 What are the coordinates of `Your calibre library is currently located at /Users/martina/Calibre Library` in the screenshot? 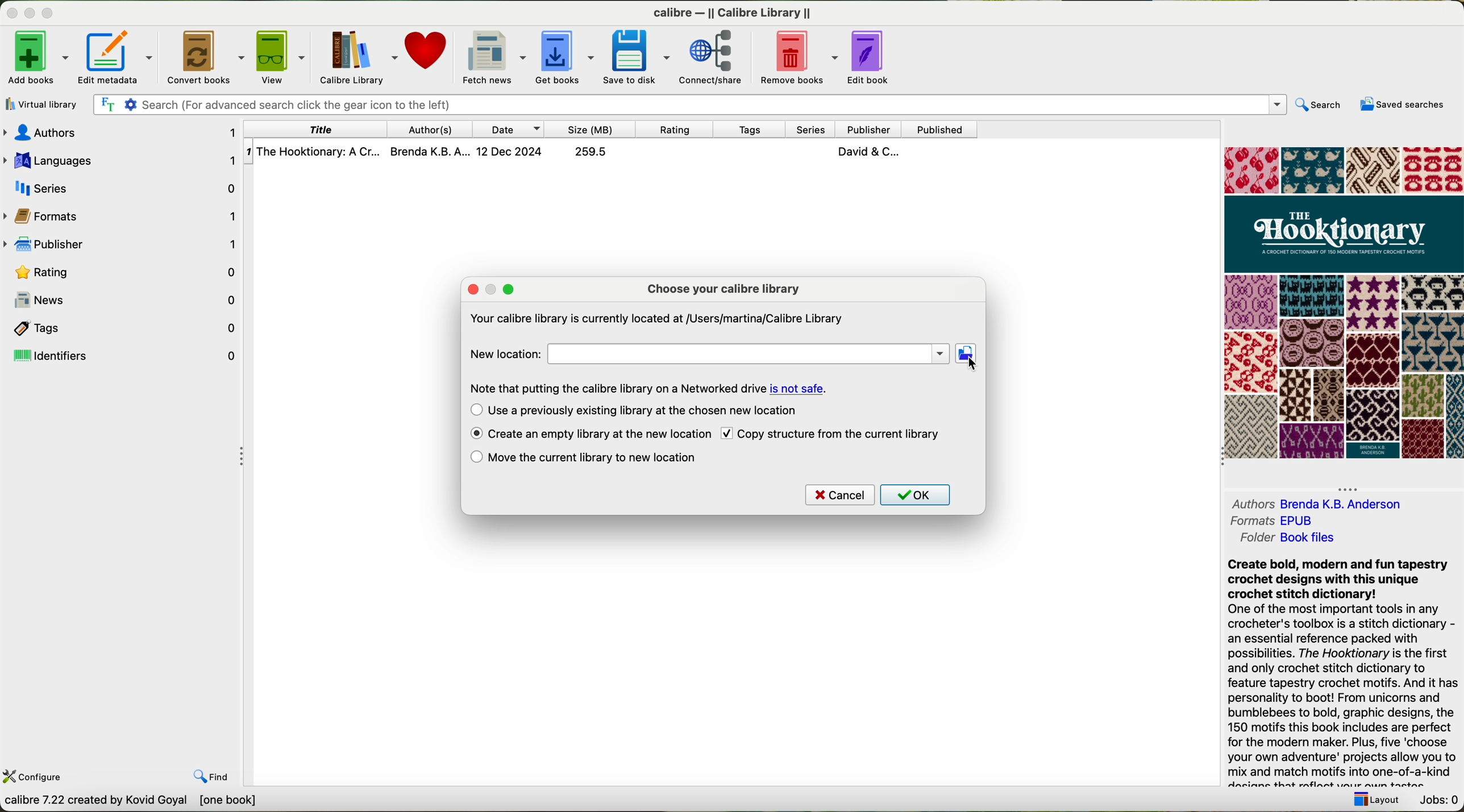 It's located at (657, 317).